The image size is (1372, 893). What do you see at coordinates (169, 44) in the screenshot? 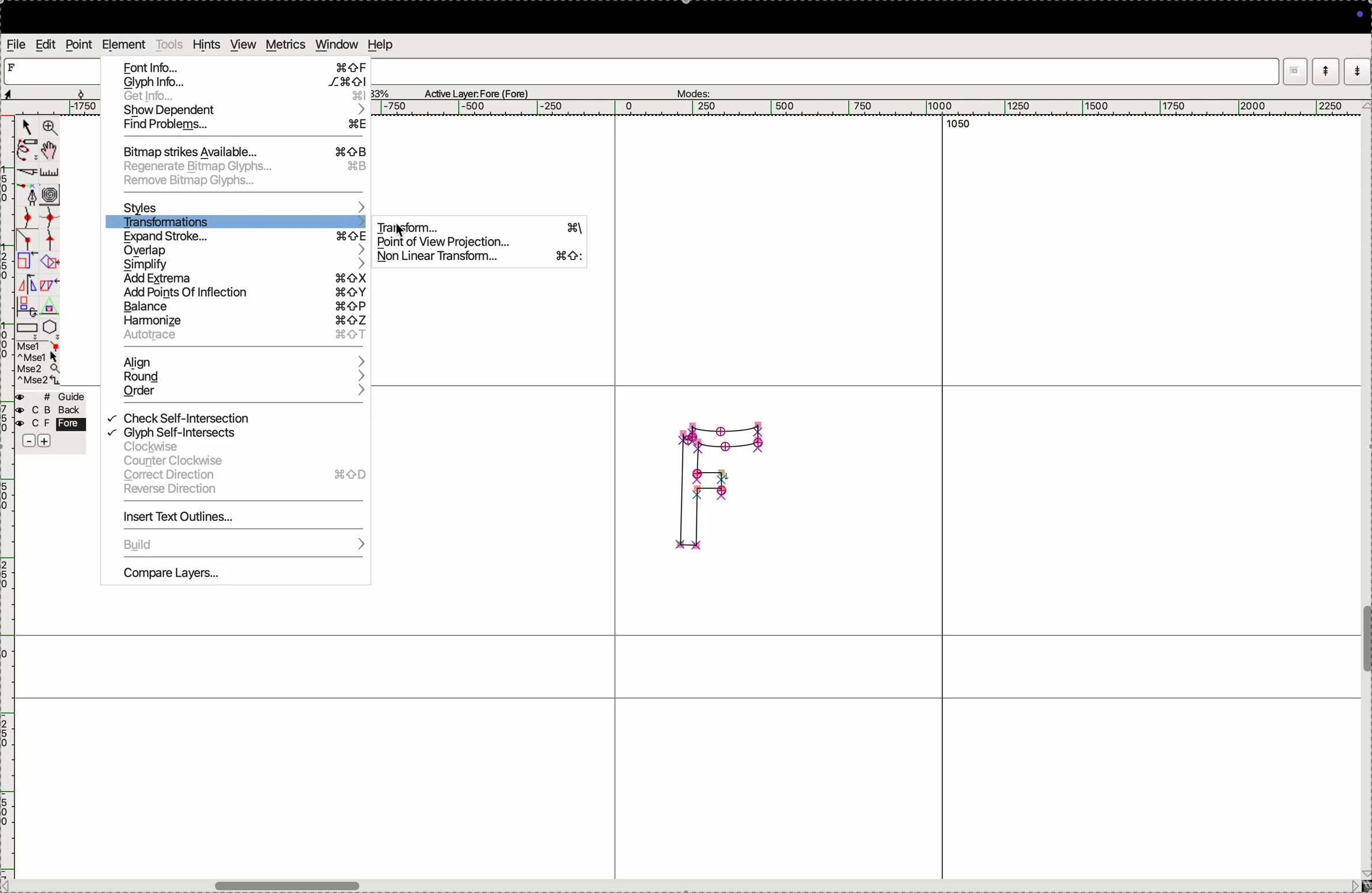
I see `tools` at bounding box center [169, 44].